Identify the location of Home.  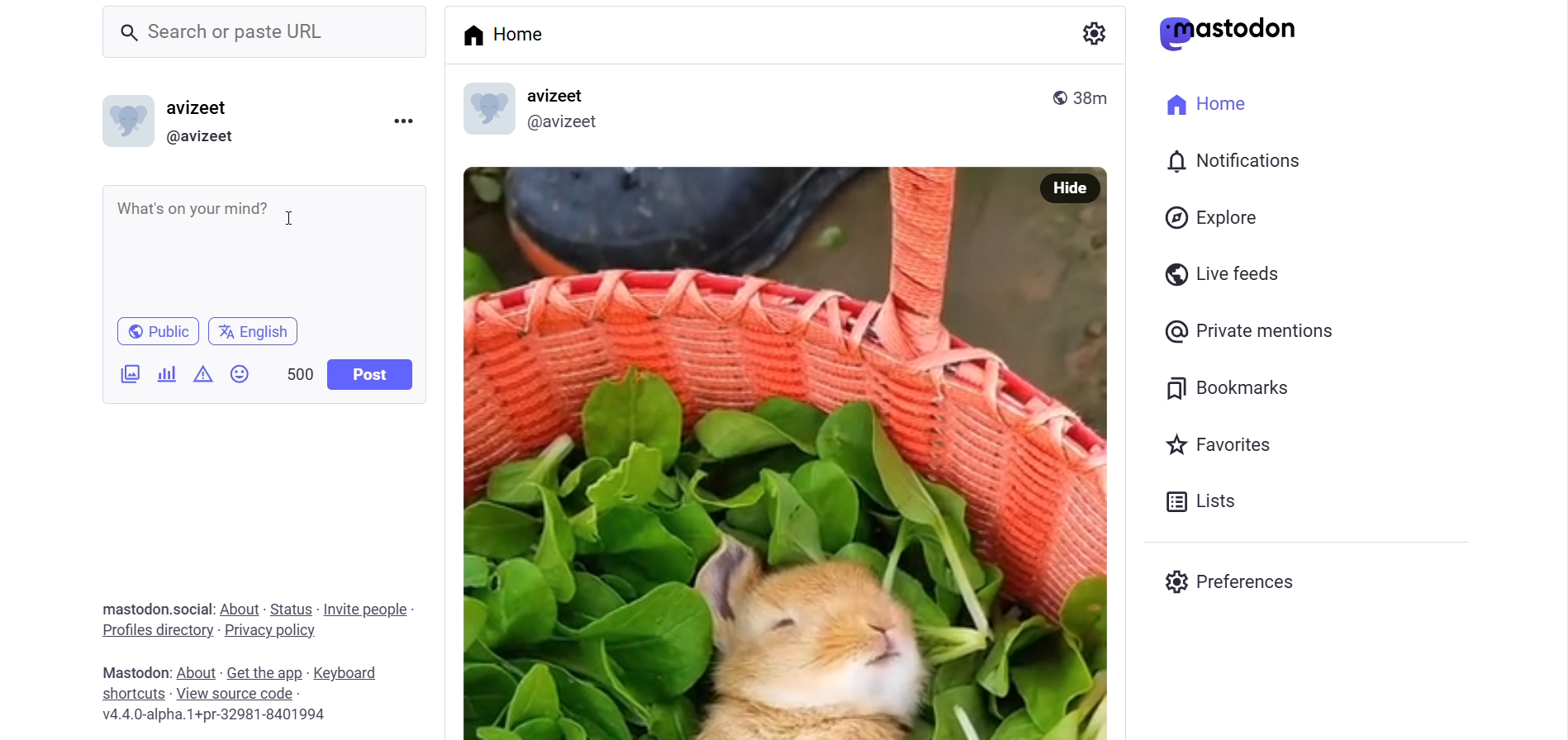
(1209, 103).